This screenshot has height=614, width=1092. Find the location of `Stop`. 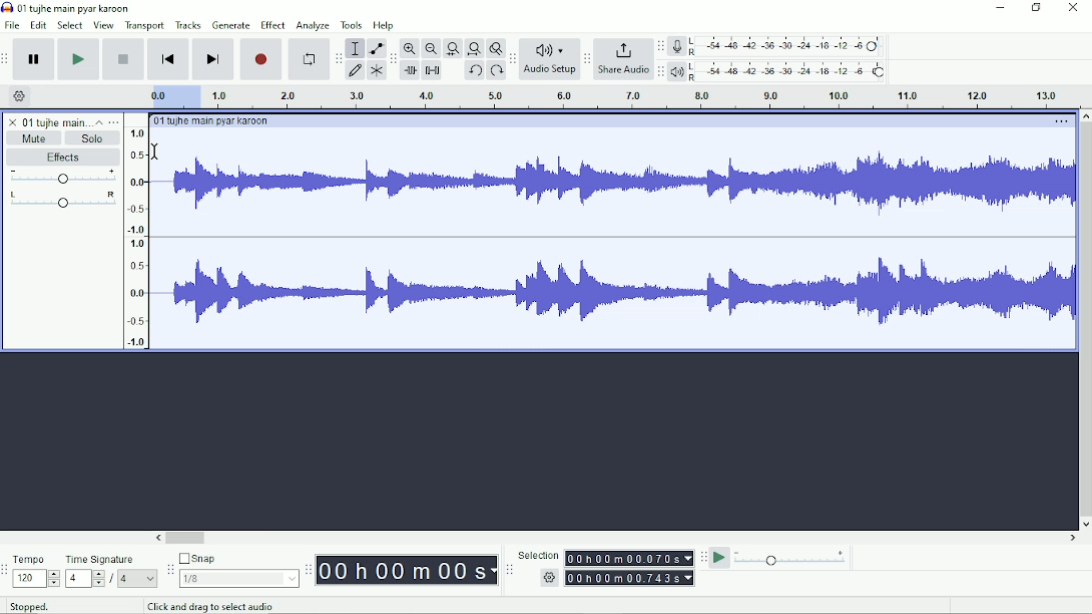

Stop is located at coordinates (125, 58).